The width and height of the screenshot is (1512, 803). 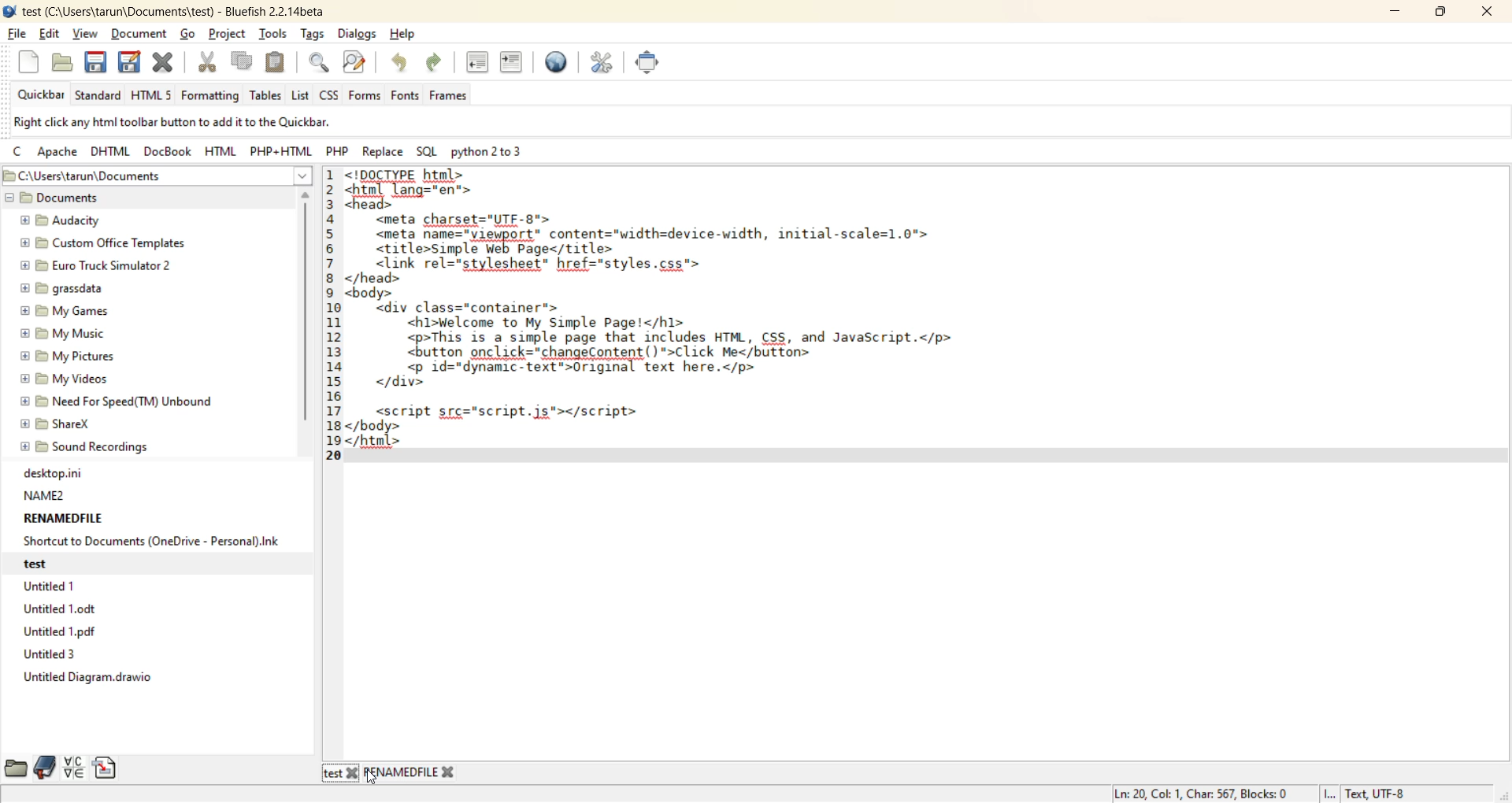 I want to click on php html, so click(x=283, y=152).